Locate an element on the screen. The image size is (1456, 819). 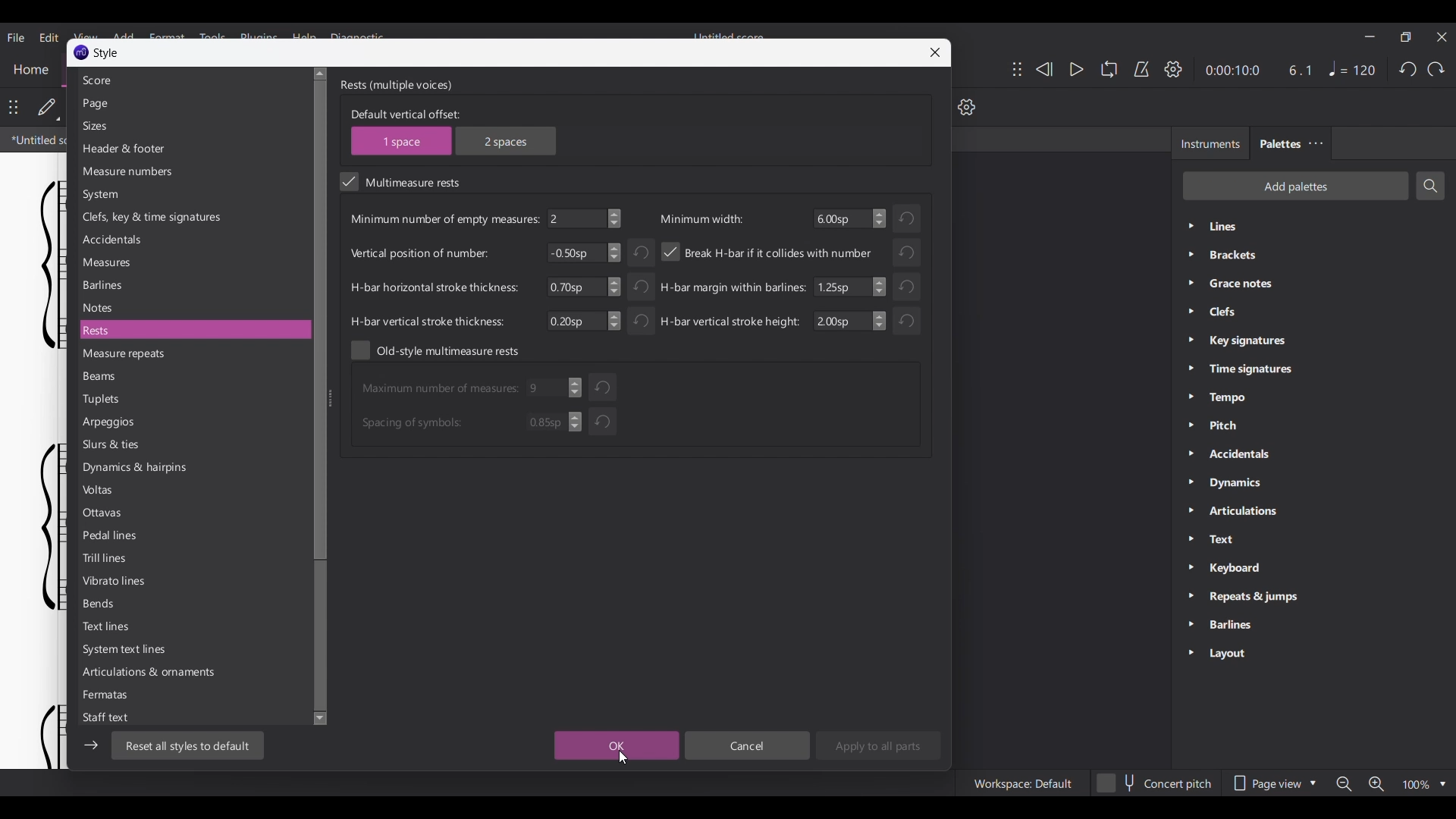
Name of current window is located at coordinates (106, 53).